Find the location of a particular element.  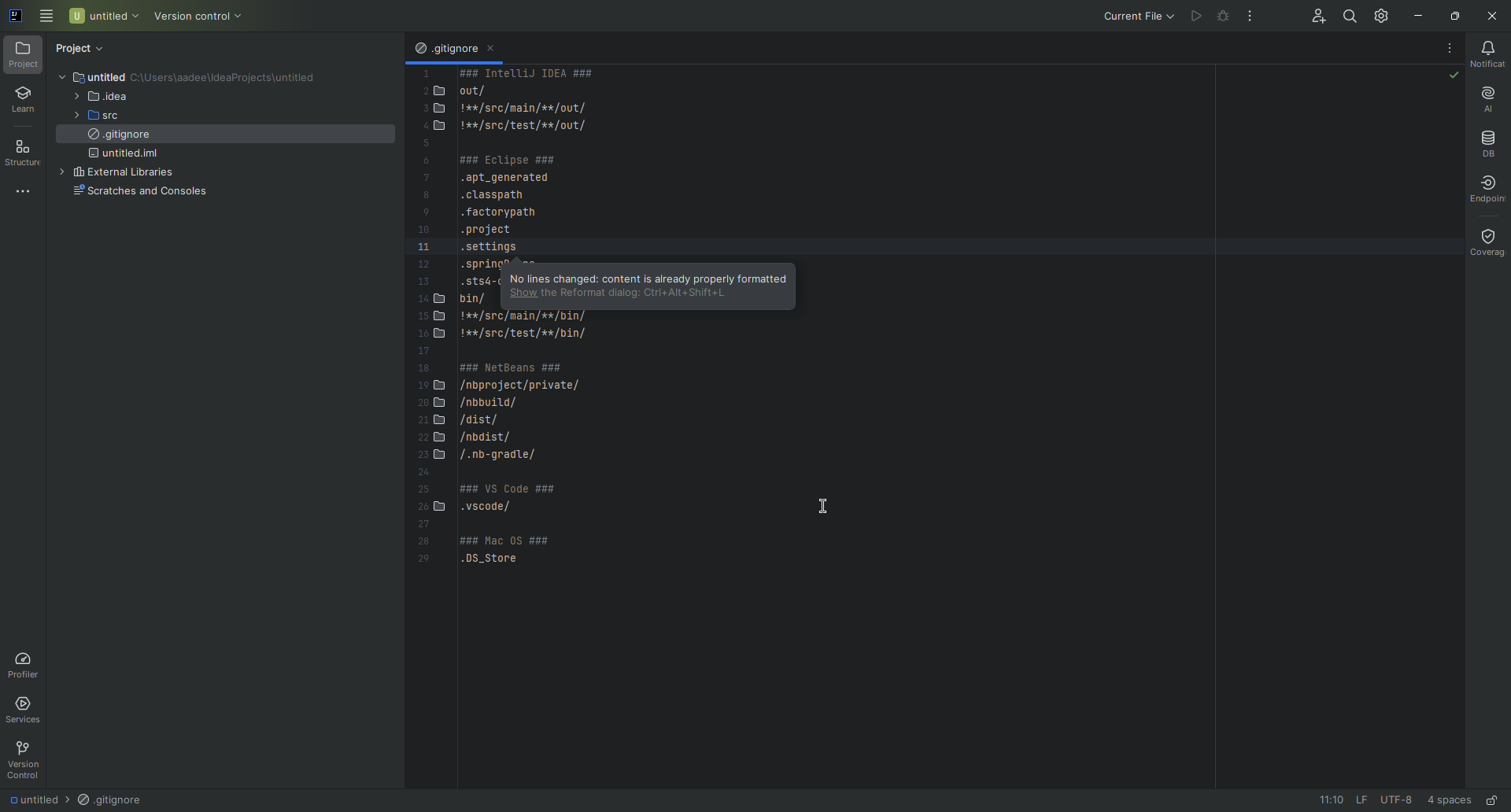

line seperator is located at coordinates (1357, 799).